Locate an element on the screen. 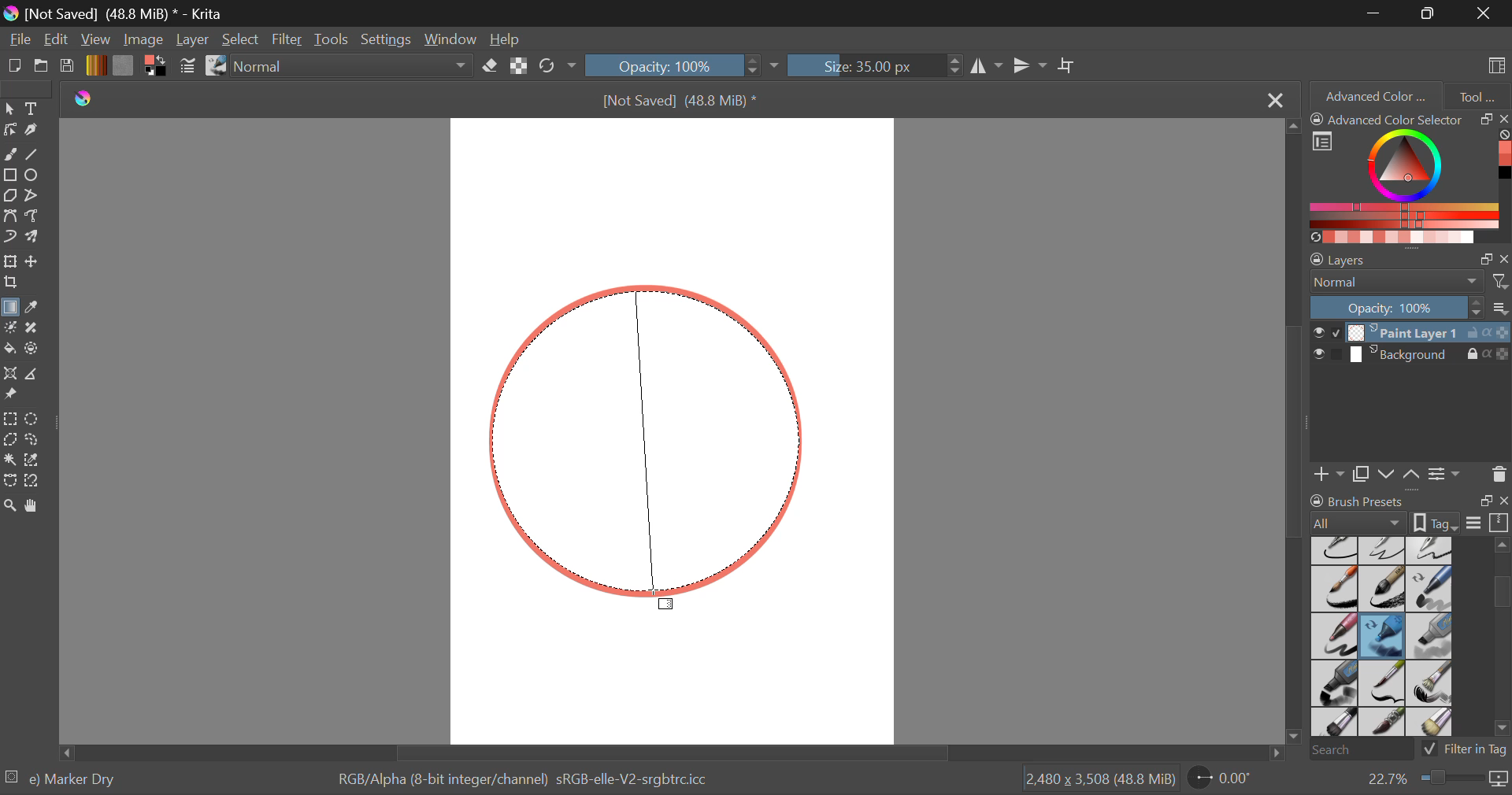 This screenshot has width=1512, height=795. Edit Shapes Tool is located at coordinates (9, 130).